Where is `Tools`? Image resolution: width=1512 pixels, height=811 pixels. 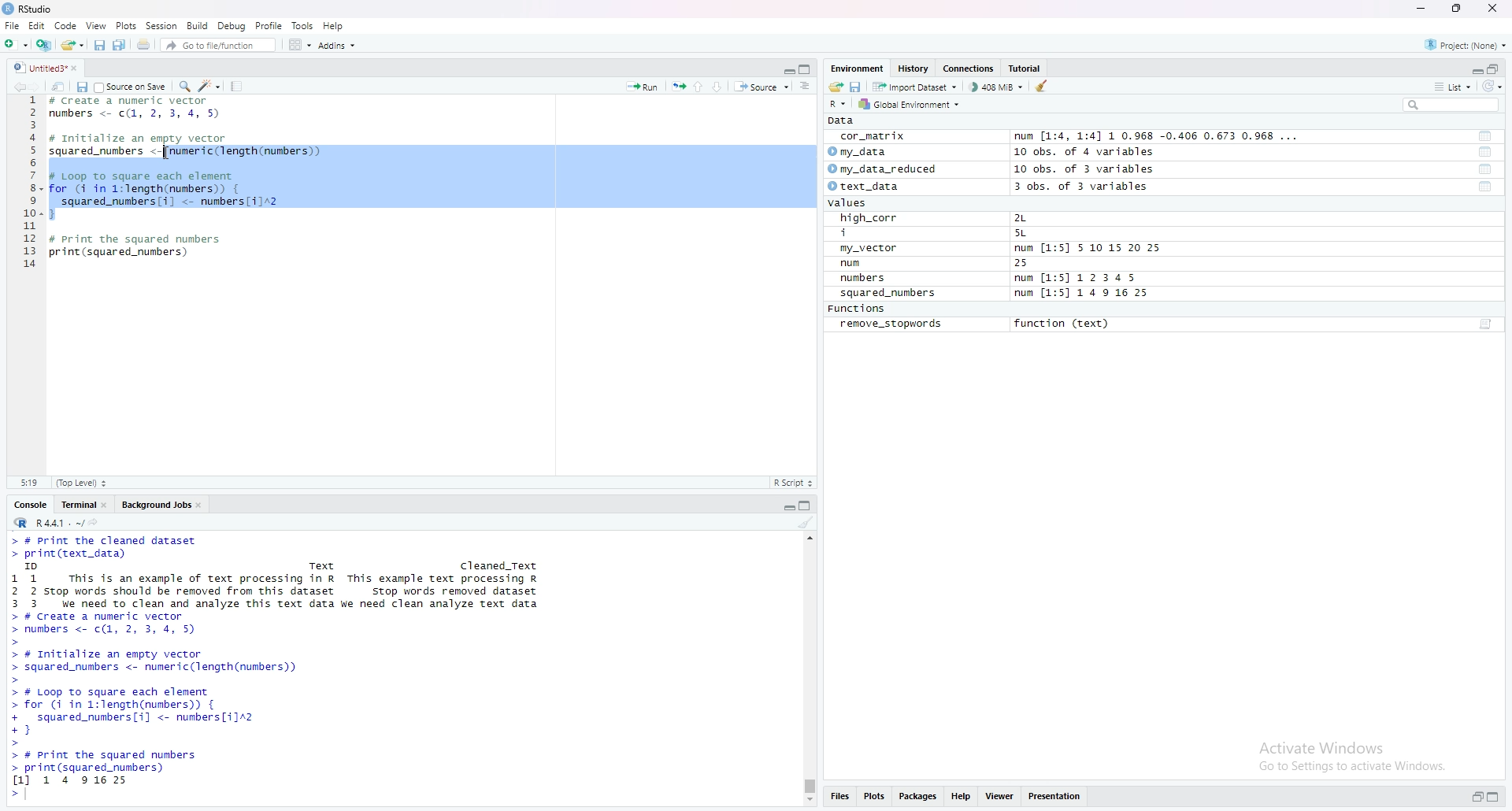
Tools is located at coordinates (303, 25).